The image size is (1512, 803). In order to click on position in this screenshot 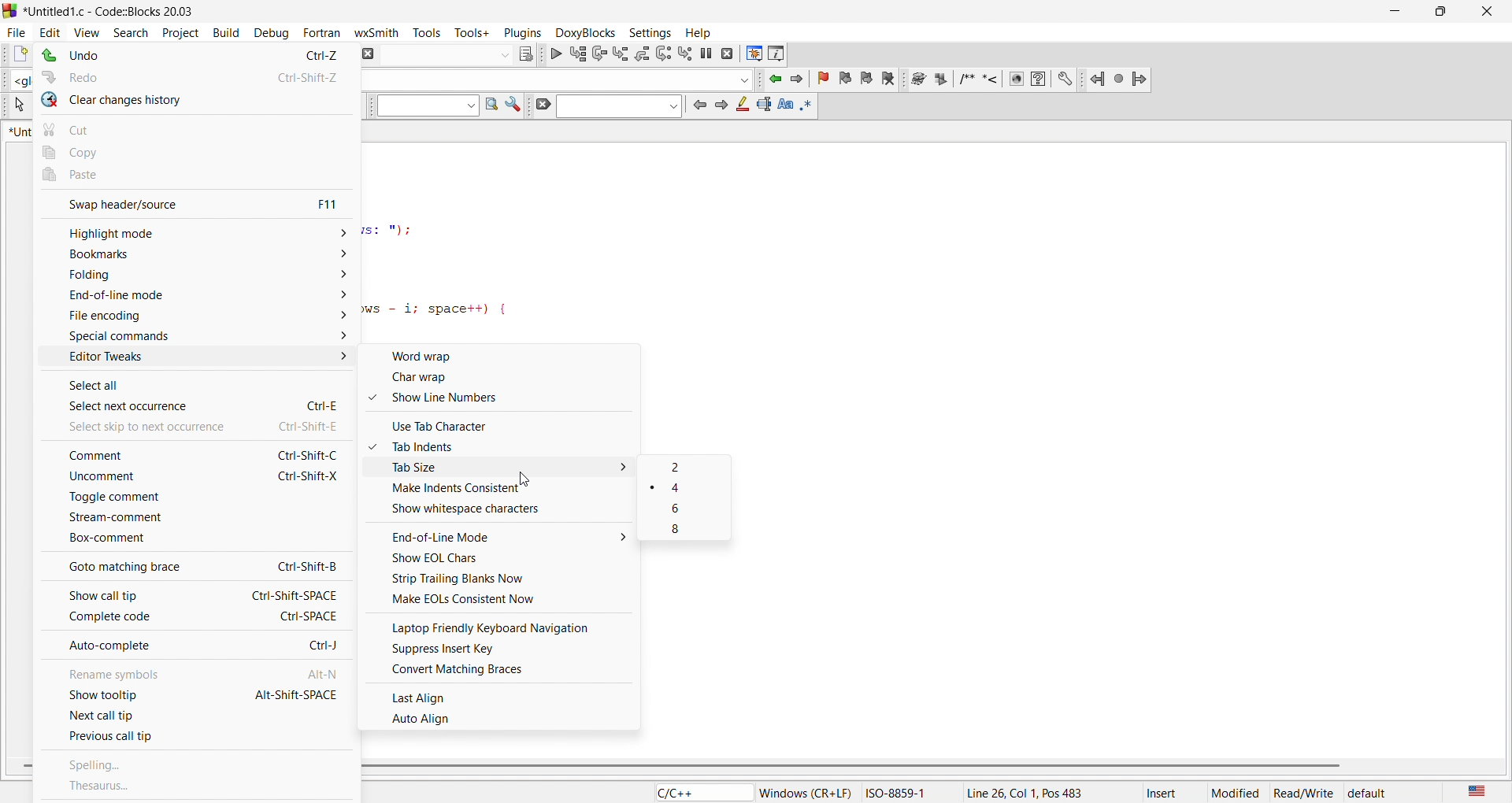, I will do `click(1039, 791)`.